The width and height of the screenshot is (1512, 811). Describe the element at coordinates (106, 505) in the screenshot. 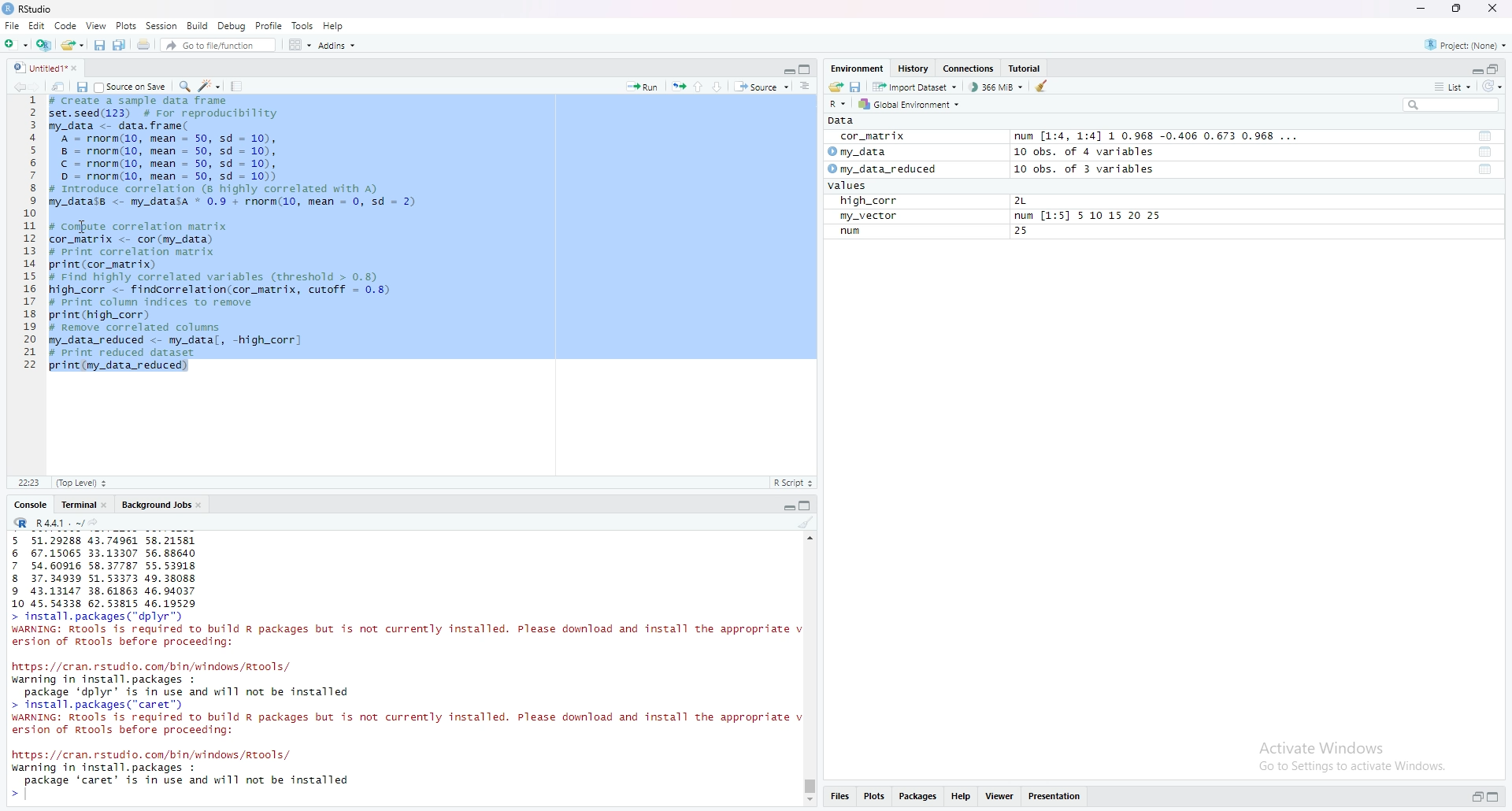

I see `close` at that location.